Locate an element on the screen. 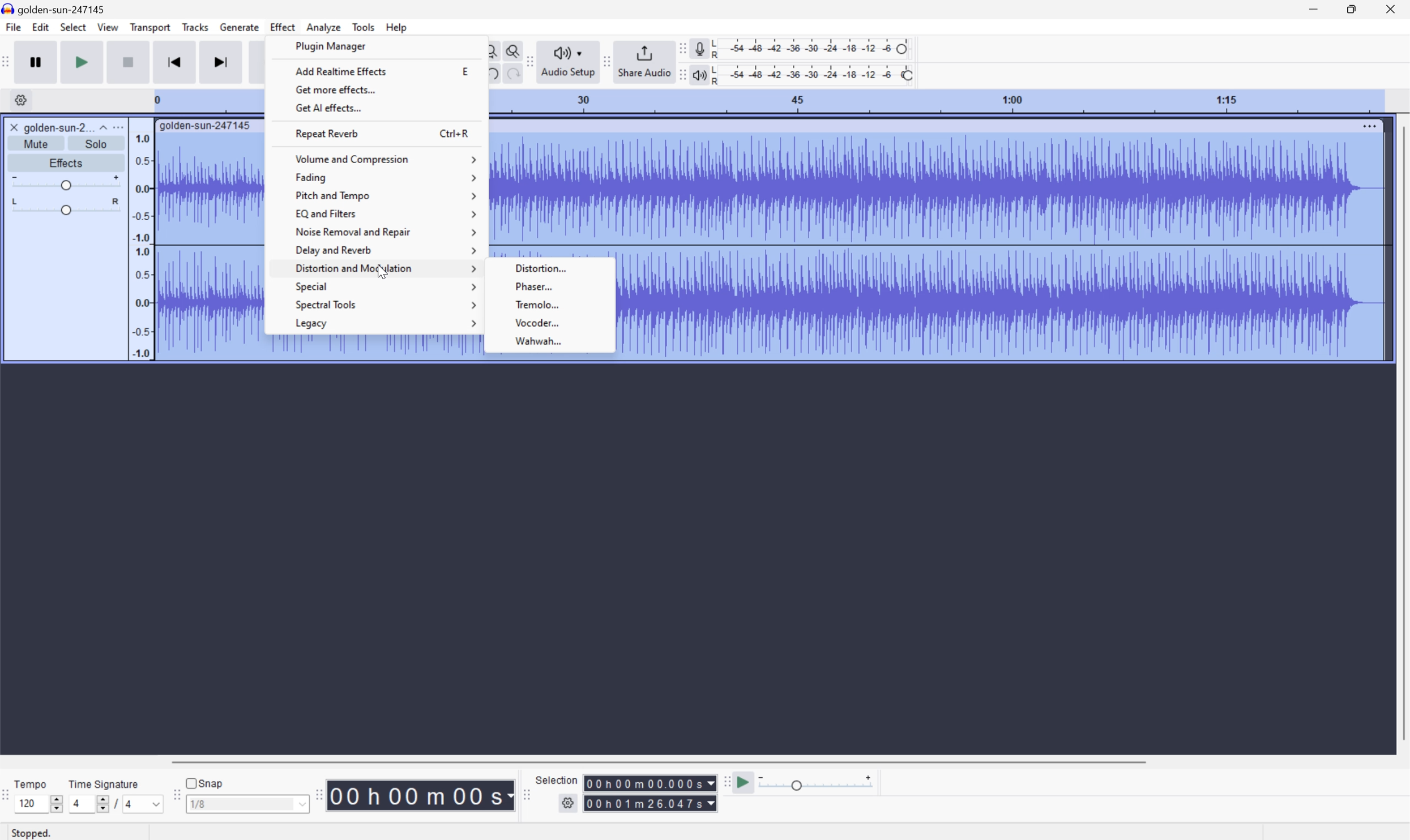 The width and height of the screenshot is (1410, 840). Record meter is located at coordinates (699, 48).